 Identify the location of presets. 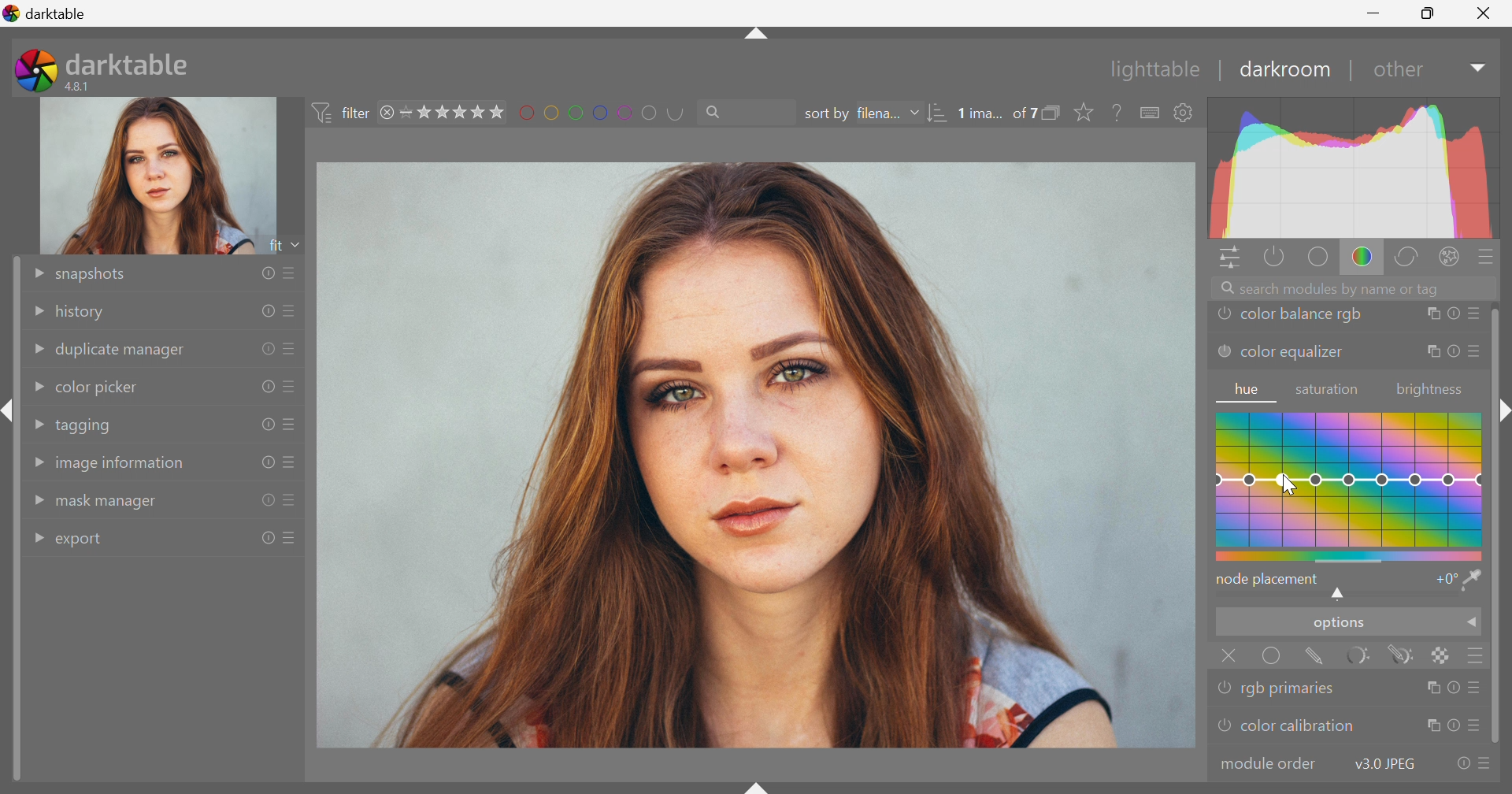
(291, 463).